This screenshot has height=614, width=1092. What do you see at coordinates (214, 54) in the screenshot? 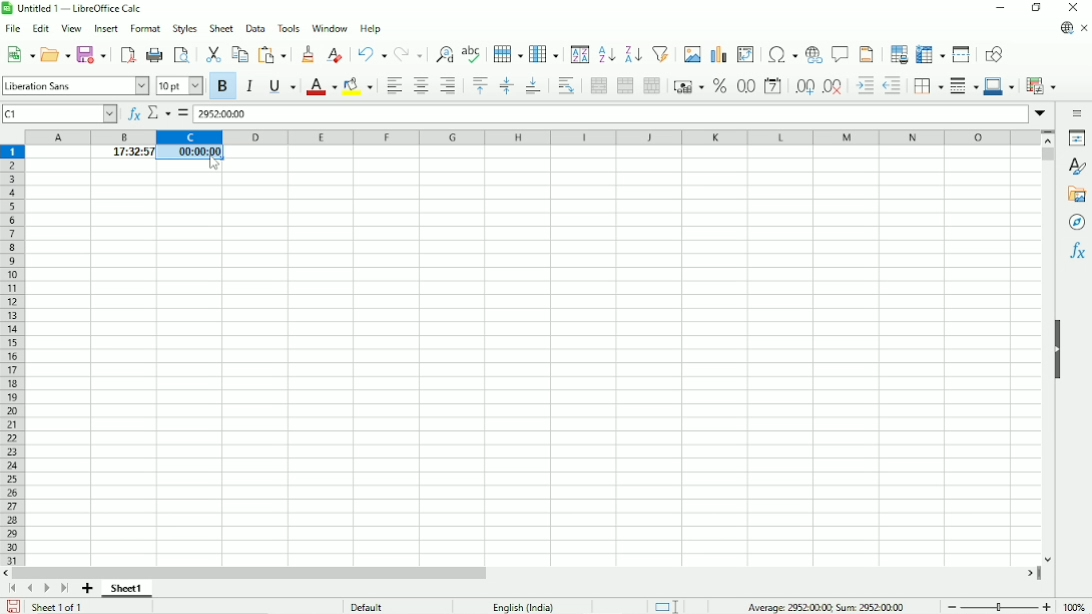
I see `Cut` at bounding box center [214, 54].